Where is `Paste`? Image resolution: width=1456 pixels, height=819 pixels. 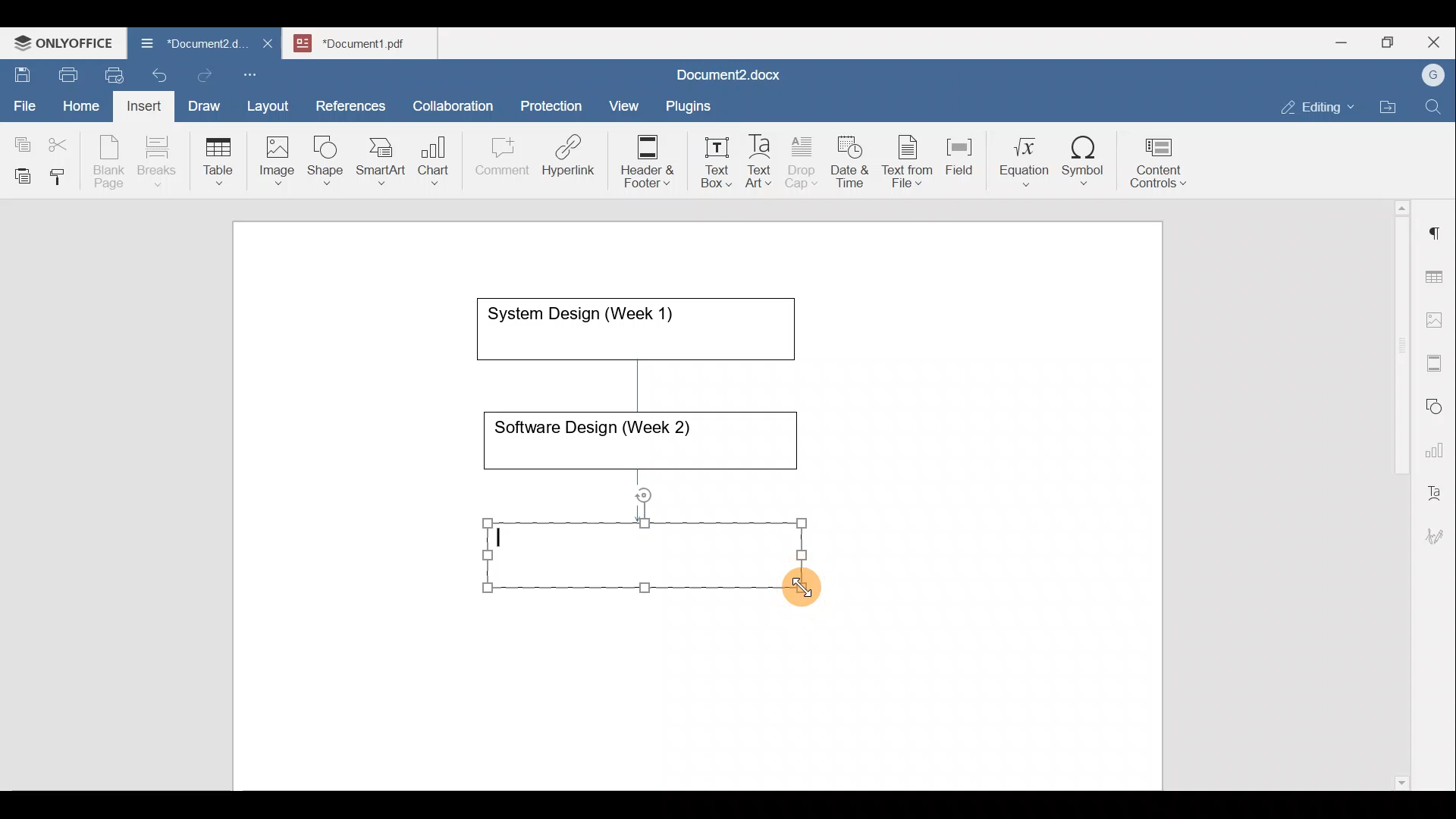
Paste is located at coordinates (19, 172).